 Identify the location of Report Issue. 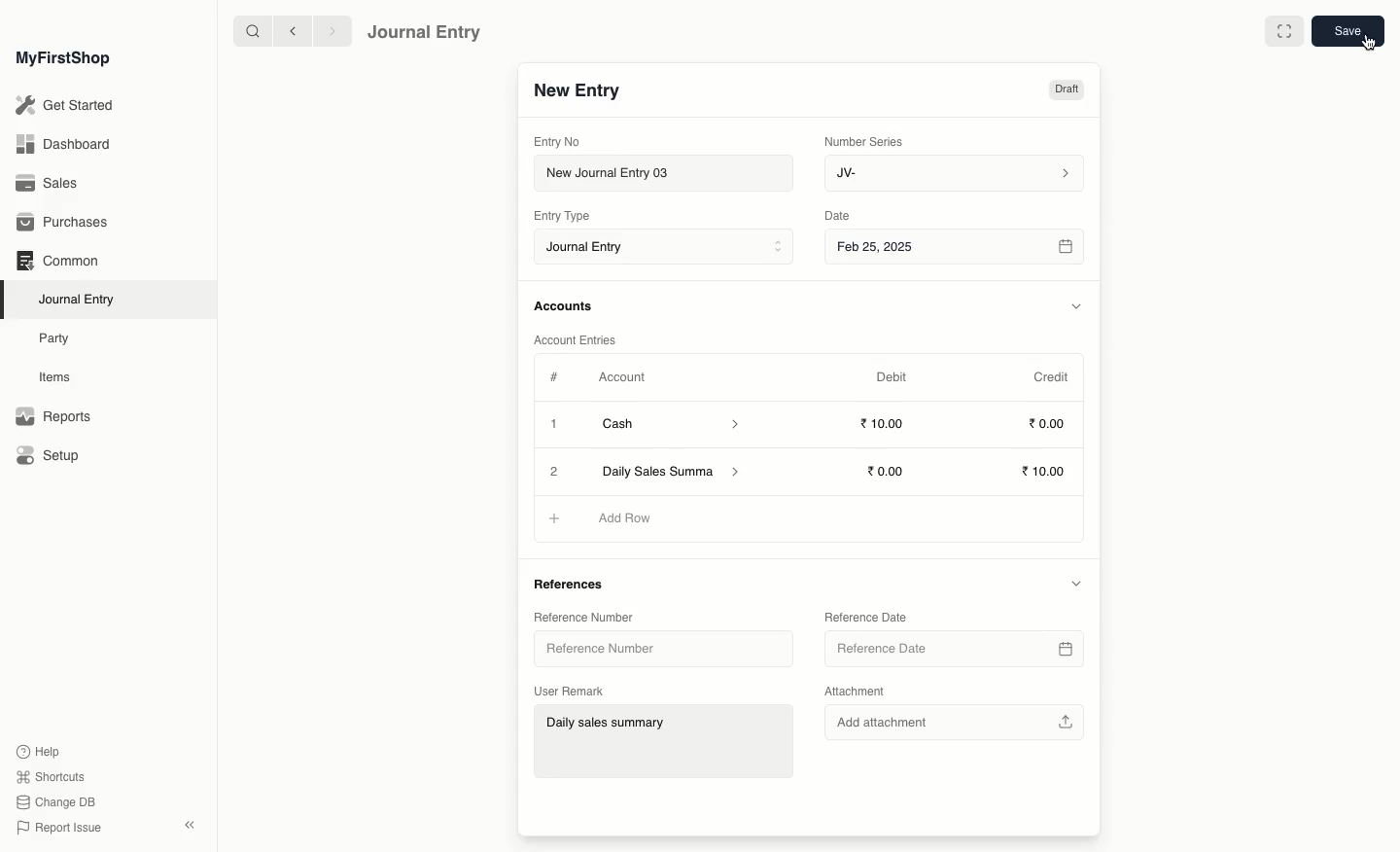
(57, 828).